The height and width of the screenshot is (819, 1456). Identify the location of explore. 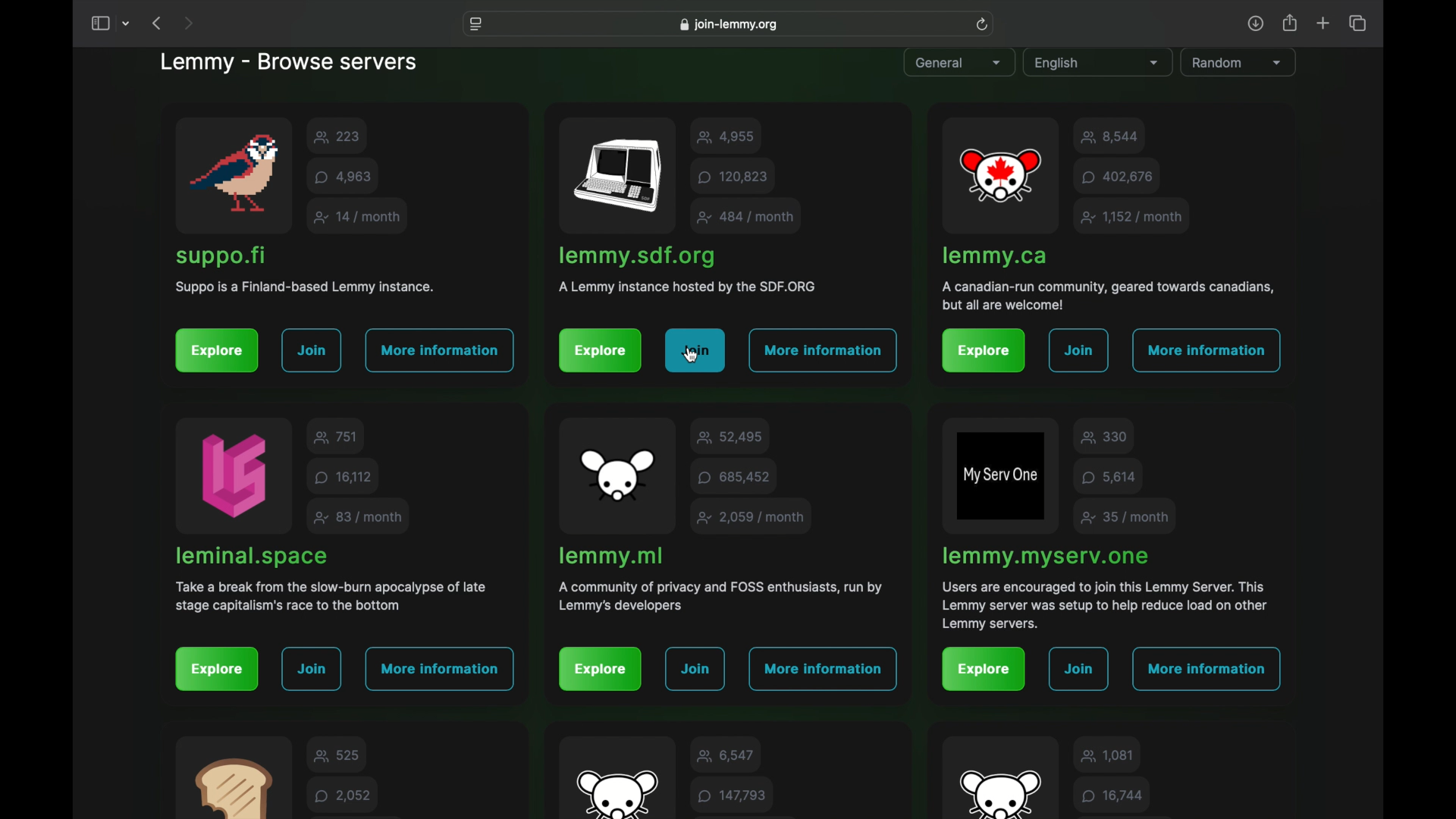
(217, 670).